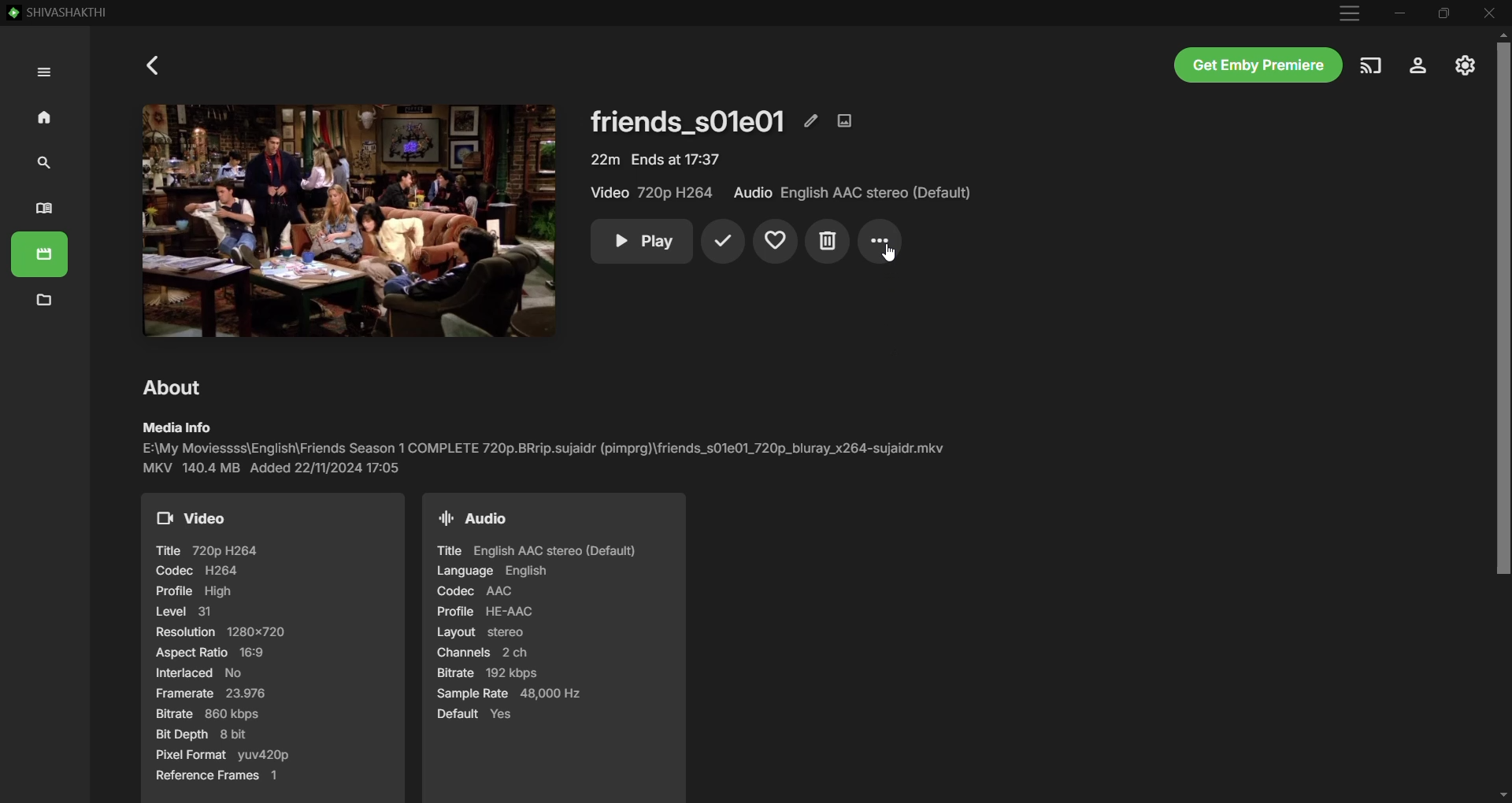 Image resolution: width=1512 pixels, height=803 pixels. Describe the element at coordinates (42, 73) in the screenshot. I see `Expand` at that location.